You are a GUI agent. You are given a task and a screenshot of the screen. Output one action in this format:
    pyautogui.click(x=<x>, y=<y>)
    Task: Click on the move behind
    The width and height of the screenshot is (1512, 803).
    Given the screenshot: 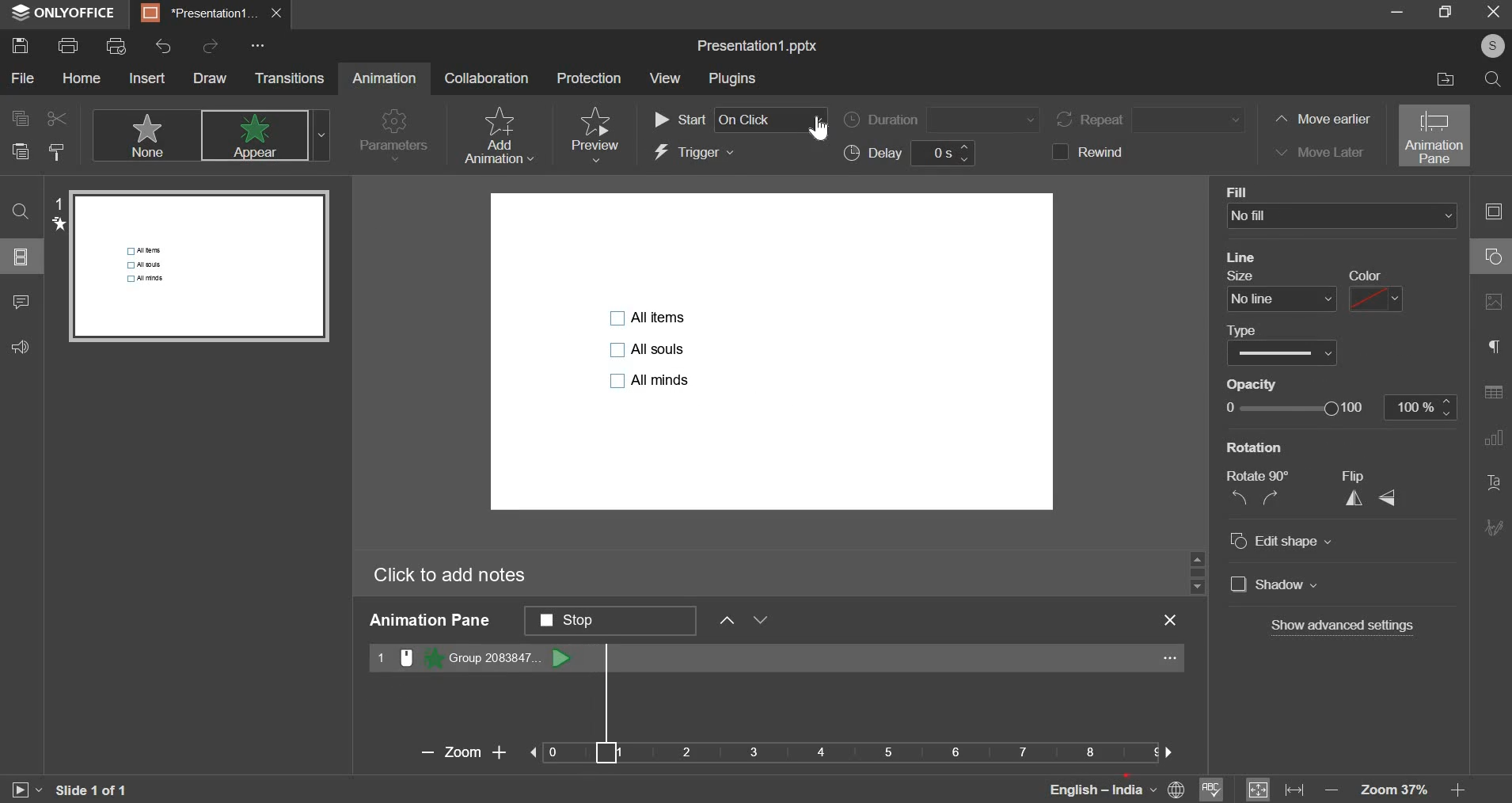 What is the action you would take?
    pyautogui.click(x=760, y=619)
    